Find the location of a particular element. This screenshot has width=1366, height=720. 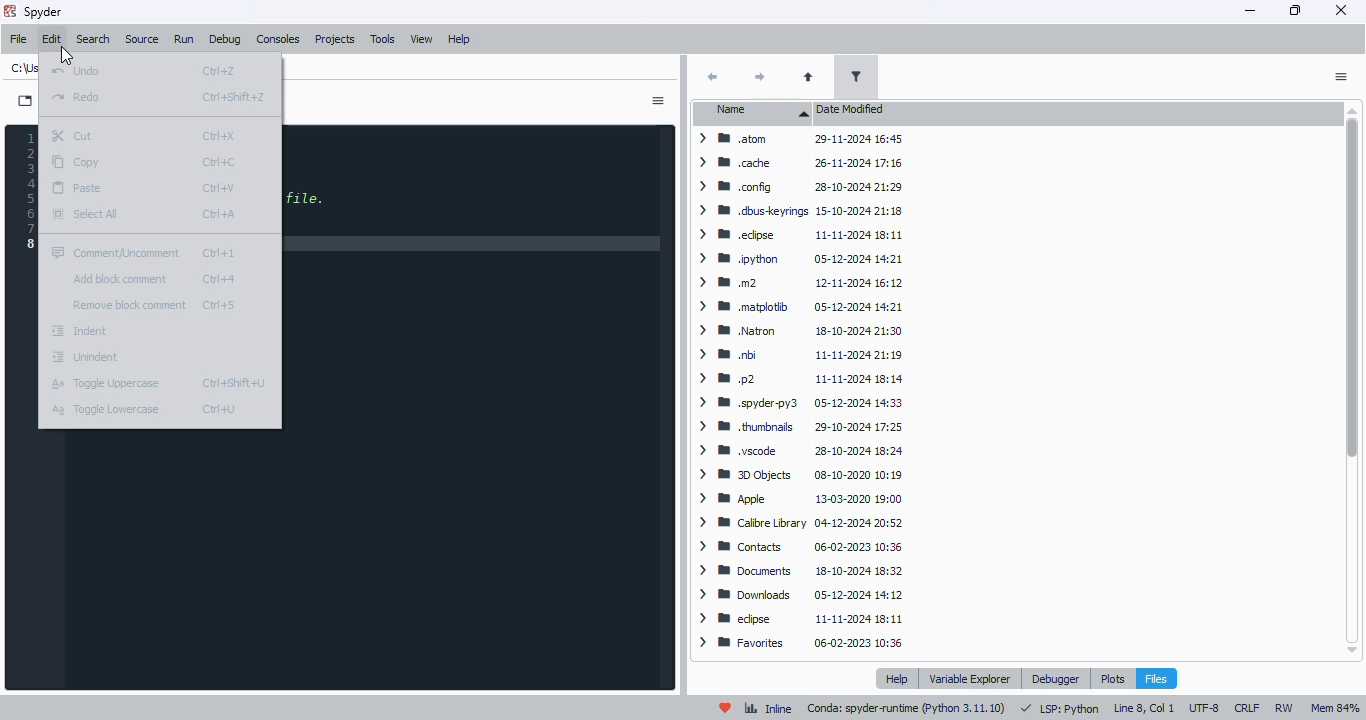

view is located at coordinates (423, 39).